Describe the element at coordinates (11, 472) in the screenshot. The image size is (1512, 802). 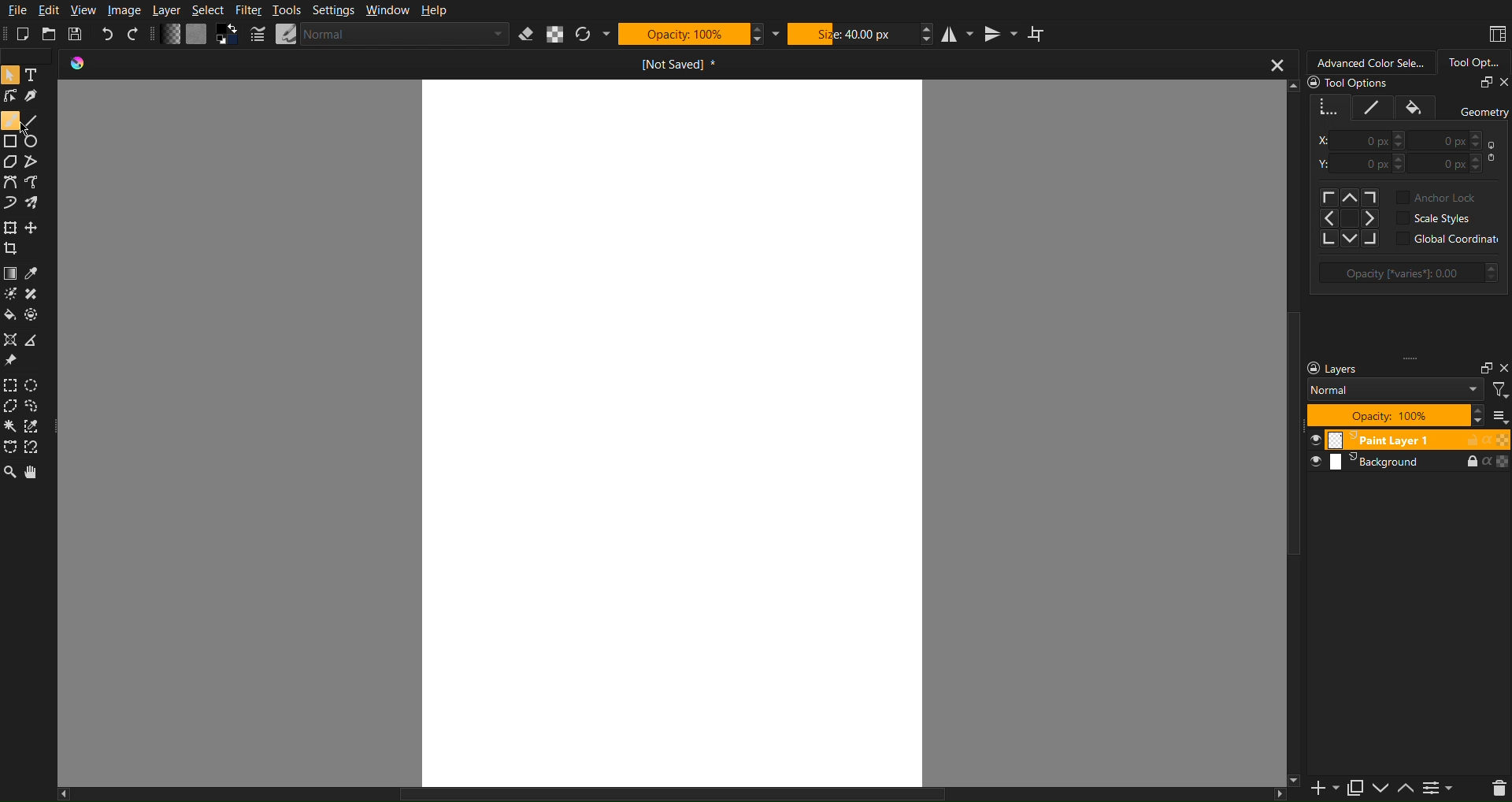
I see `Zoom` at that location.